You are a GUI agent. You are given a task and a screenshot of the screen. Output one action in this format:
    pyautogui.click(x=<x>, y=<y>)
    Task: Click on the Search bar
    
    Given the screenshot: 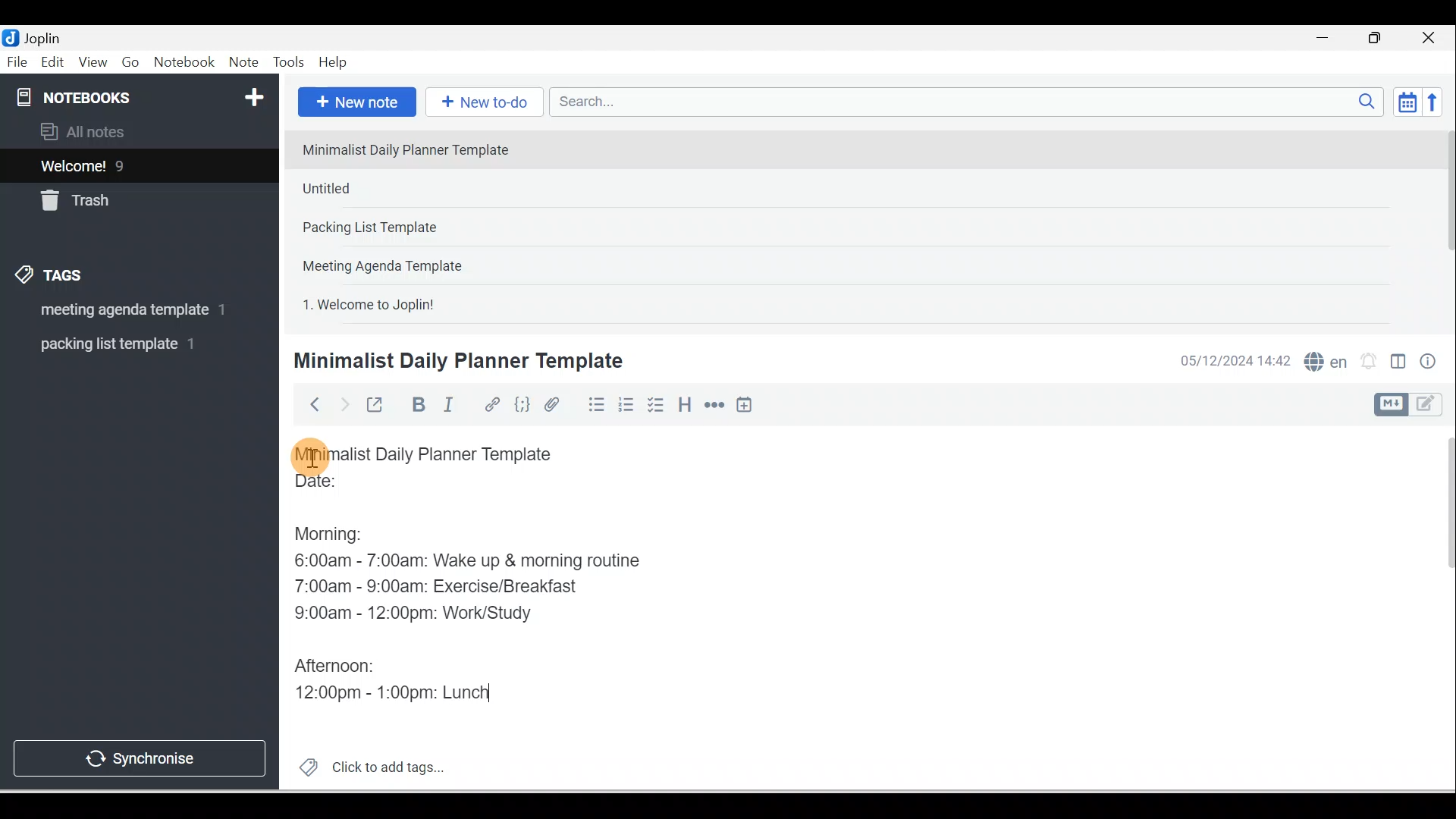 What is the action you would take?
    pyautogui.click(x=971, y=102)
    